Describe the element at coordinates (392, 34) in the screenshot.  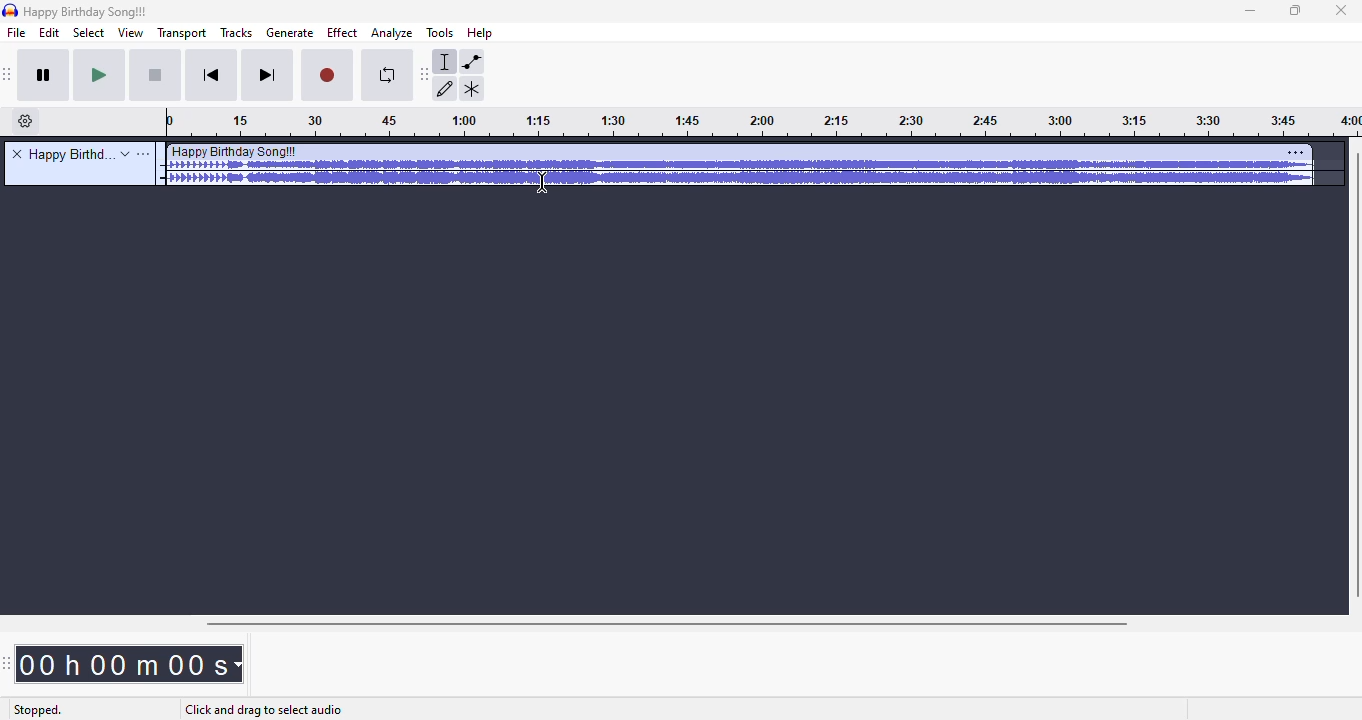
I see `analyze` at that location.